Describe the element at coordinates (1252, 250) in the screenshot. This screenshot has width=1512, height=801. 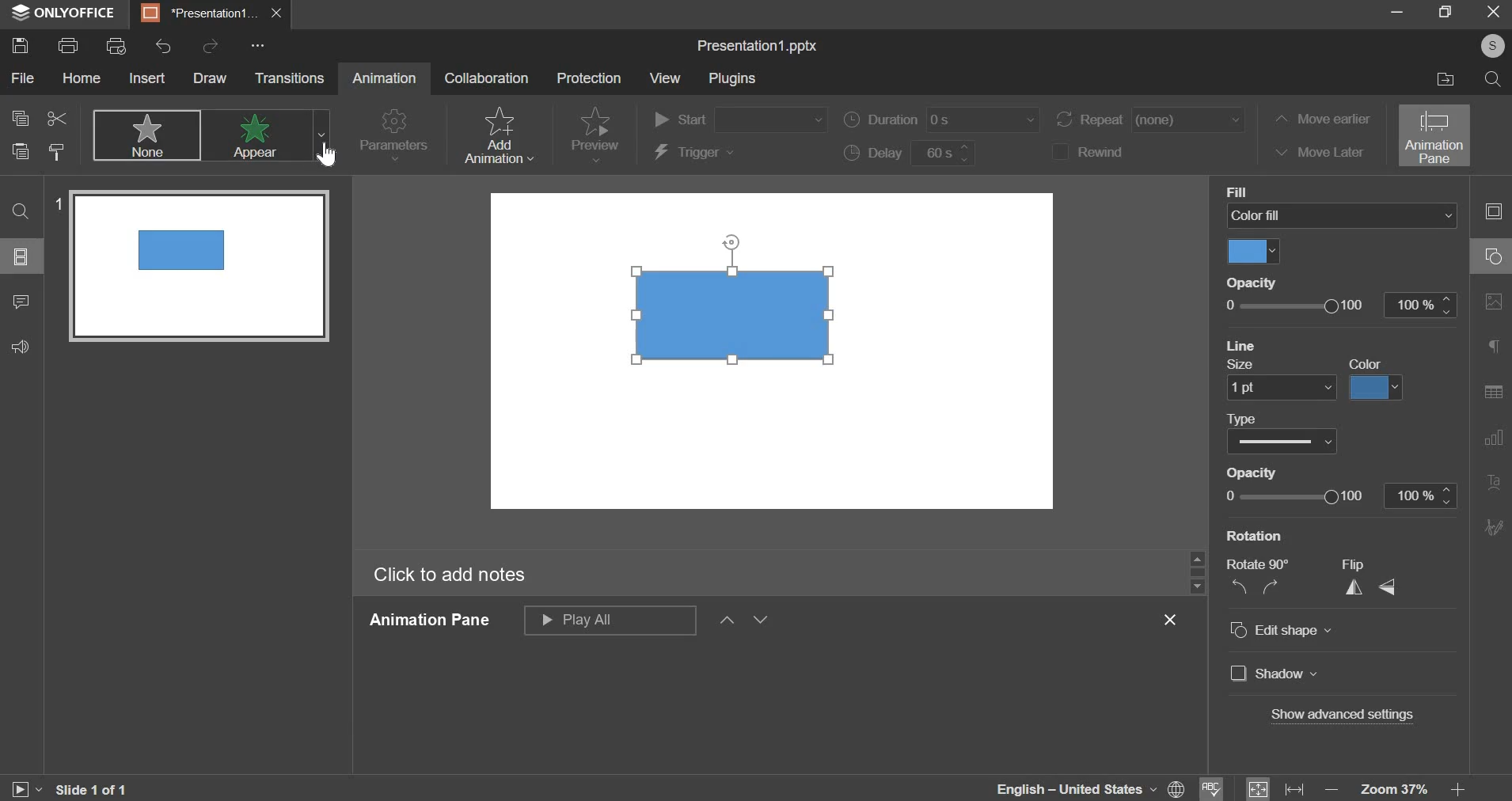
I see `color fill` at that location.